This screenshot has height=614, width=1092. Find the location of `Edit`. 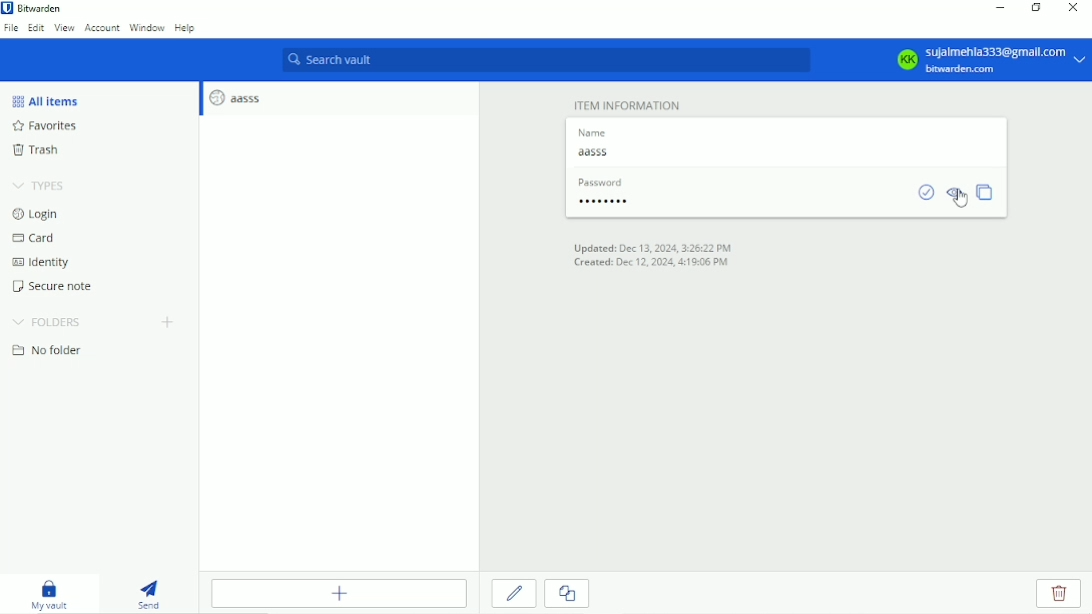

Edit is located at coordinates (36, 28).